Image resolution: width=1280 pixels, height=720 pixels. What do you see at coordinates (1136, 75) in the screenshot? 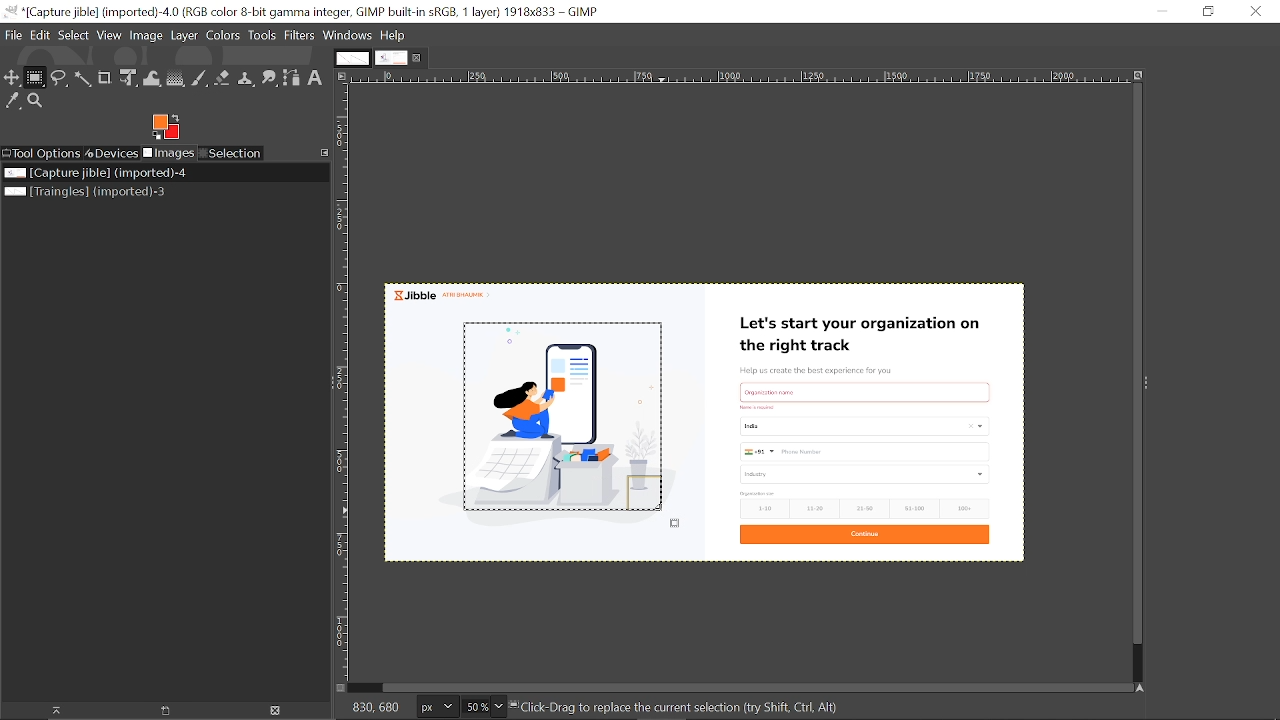
I see `Zoom image when window size changes` at bounding box center [1136, 75].